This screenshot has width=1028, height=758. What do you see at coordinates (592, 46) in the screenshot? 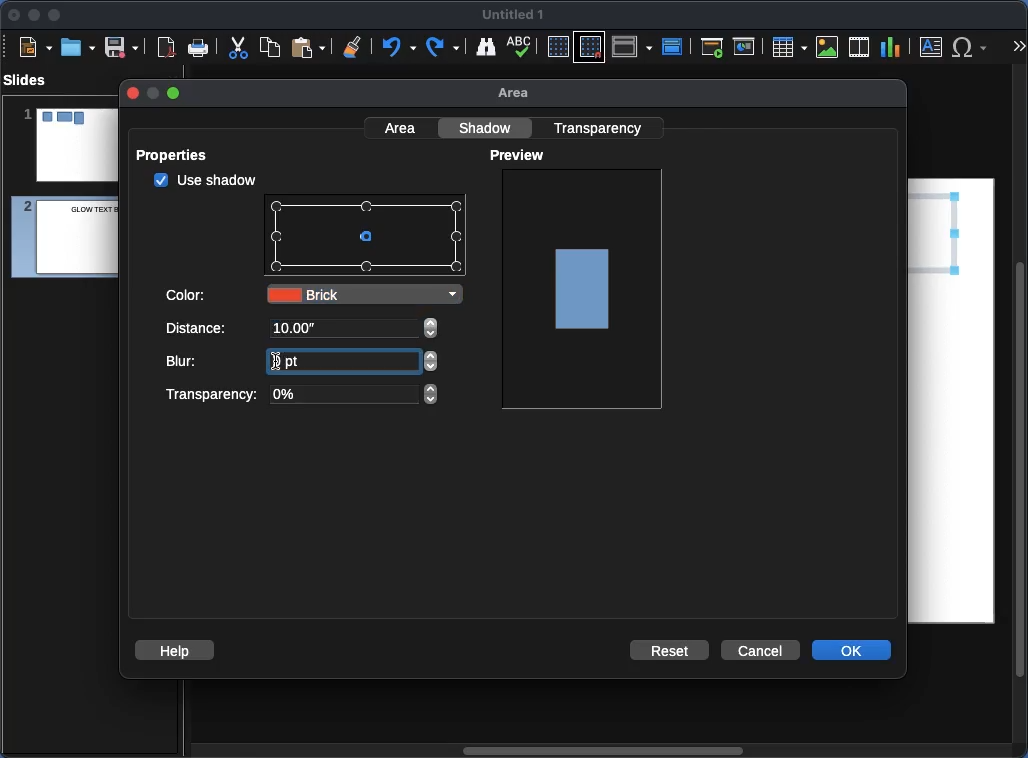
I see `Snap to grid` at bounding box center [592, 46].